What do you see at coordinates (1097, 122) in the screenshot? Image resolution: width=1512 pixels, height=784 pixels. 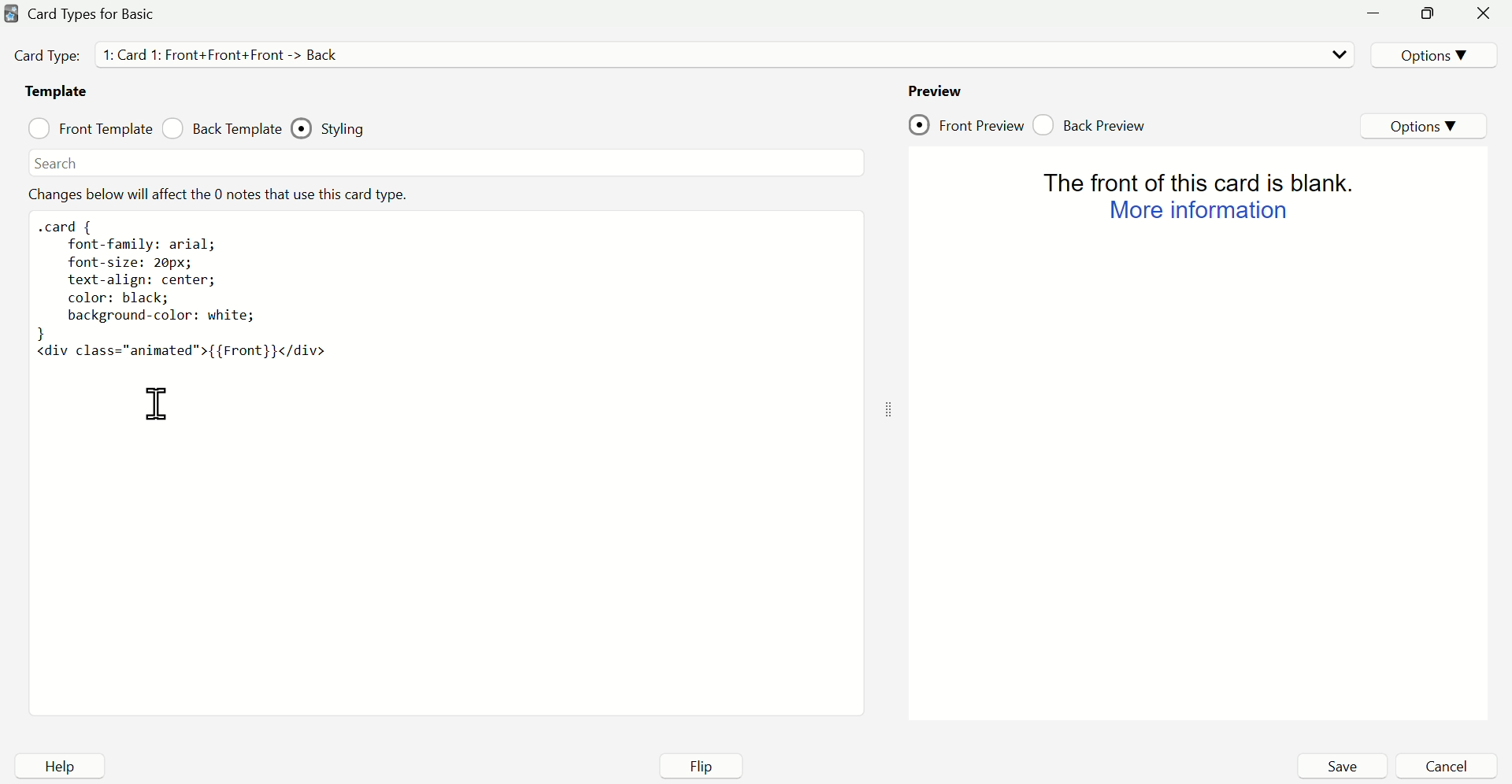 I see `Back Preview` at bounding box center [1097, 122].